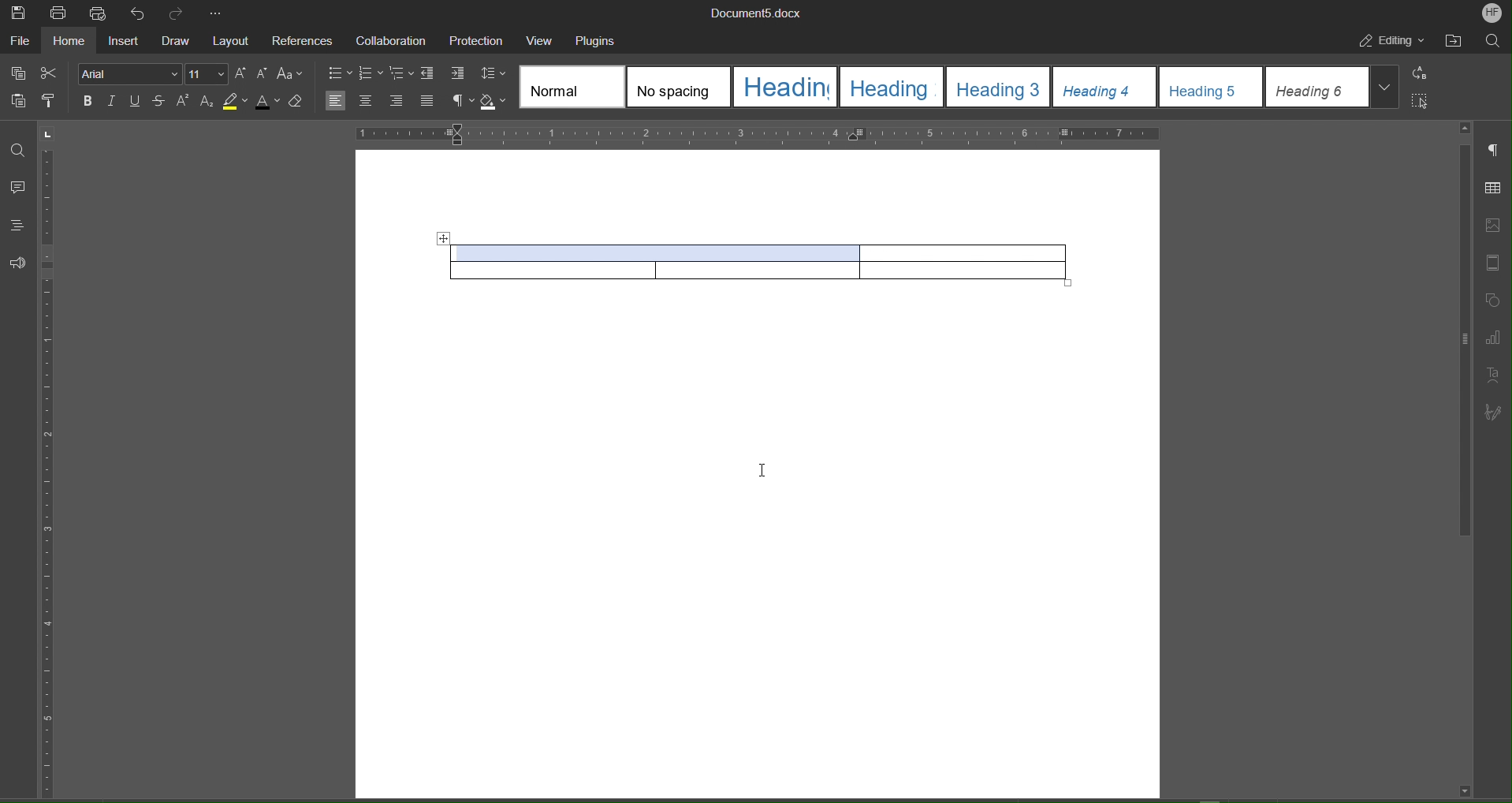  I want to click on References, so click(303, 43).